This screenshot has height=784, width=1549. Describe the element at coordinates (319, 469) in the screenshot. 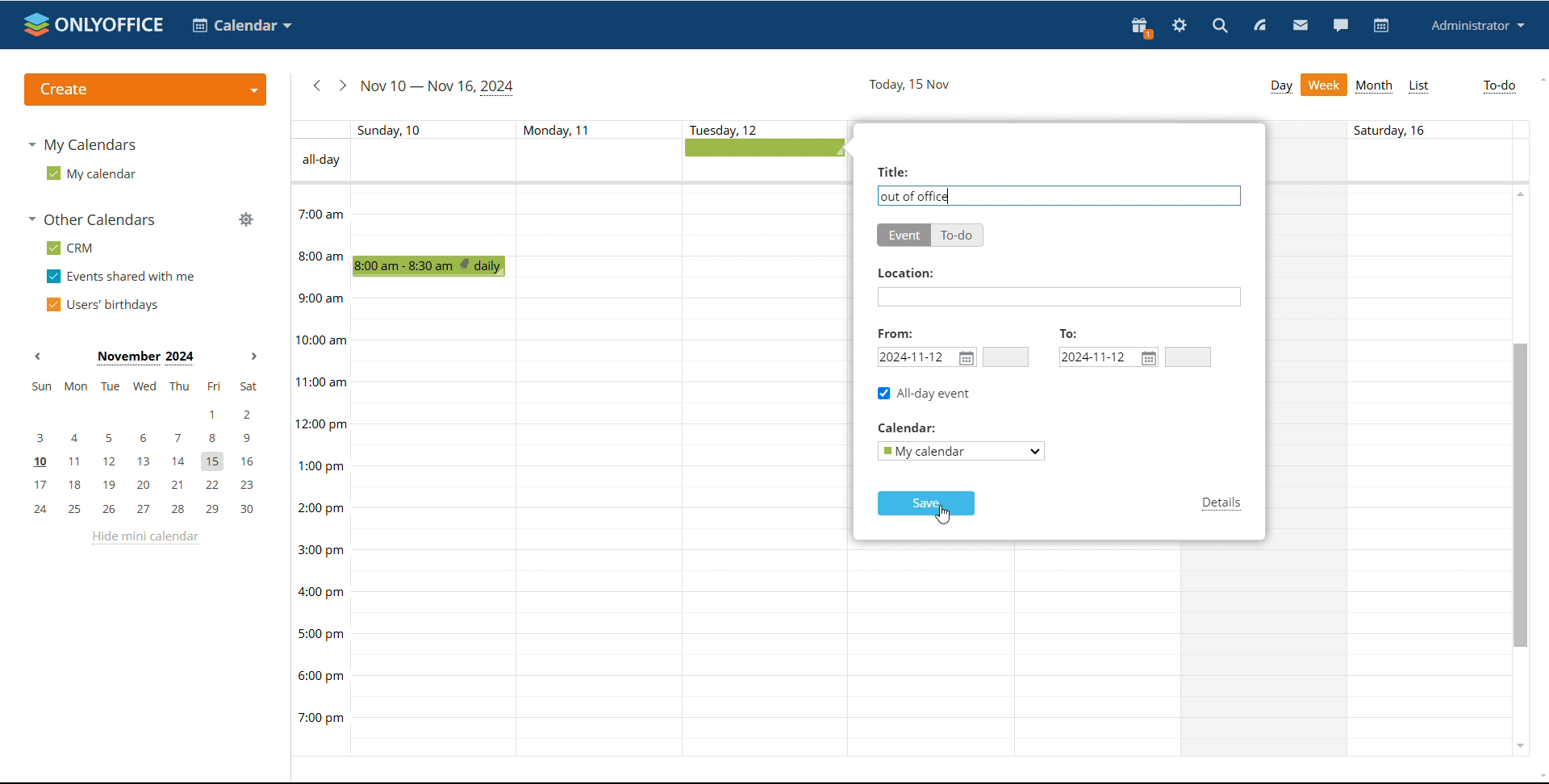

I see `timeline` at that location.